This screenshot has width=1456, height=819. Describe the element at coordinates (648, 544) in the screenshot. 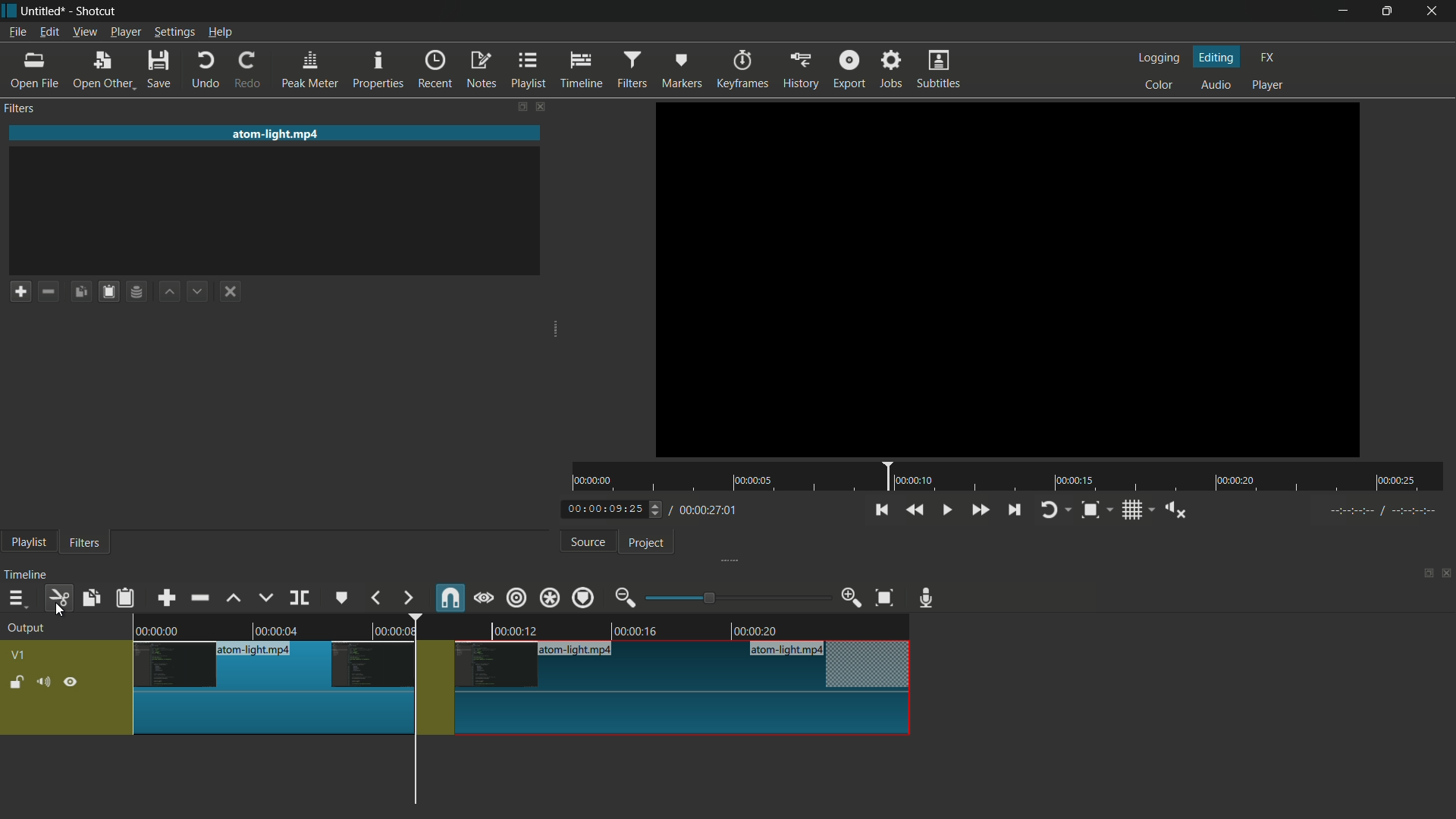

I see `project` at that location.